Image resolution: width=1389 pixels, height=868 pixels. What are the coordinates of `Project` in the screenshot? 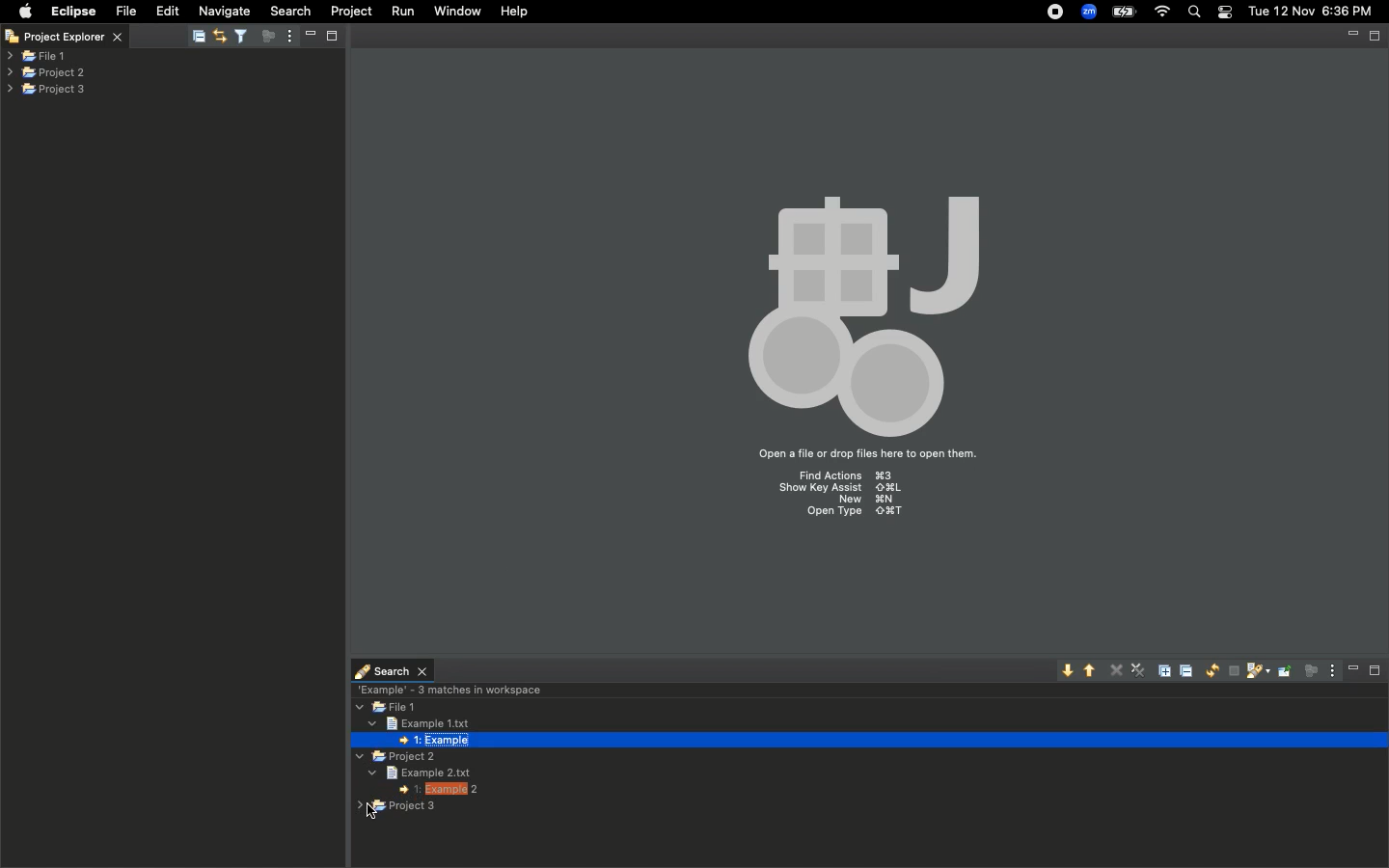 It's located at (351, 12).